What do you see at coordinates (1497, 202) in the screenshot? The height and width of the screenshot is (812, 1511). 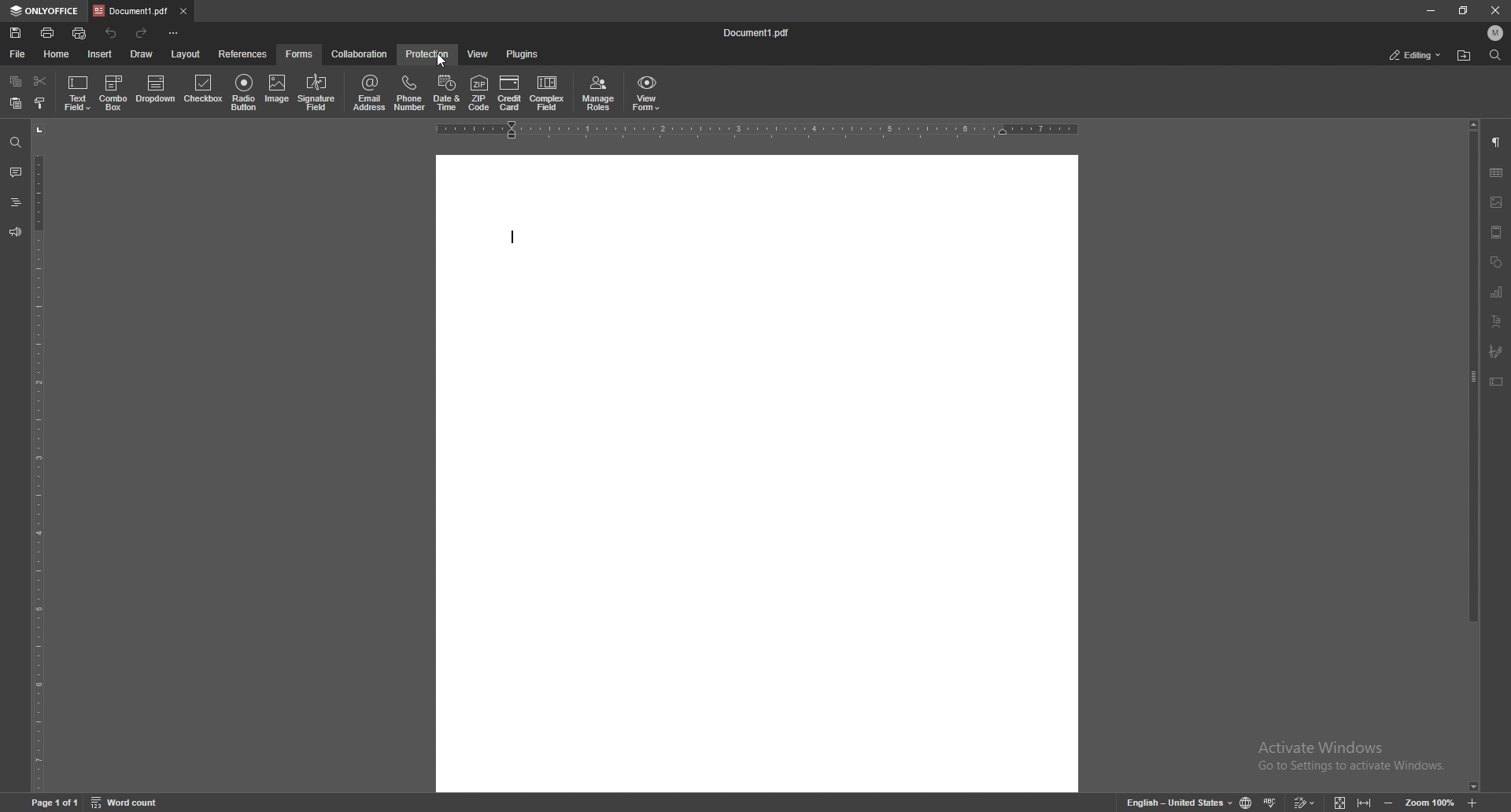 I see `image` at bounding box center [1497, 202].